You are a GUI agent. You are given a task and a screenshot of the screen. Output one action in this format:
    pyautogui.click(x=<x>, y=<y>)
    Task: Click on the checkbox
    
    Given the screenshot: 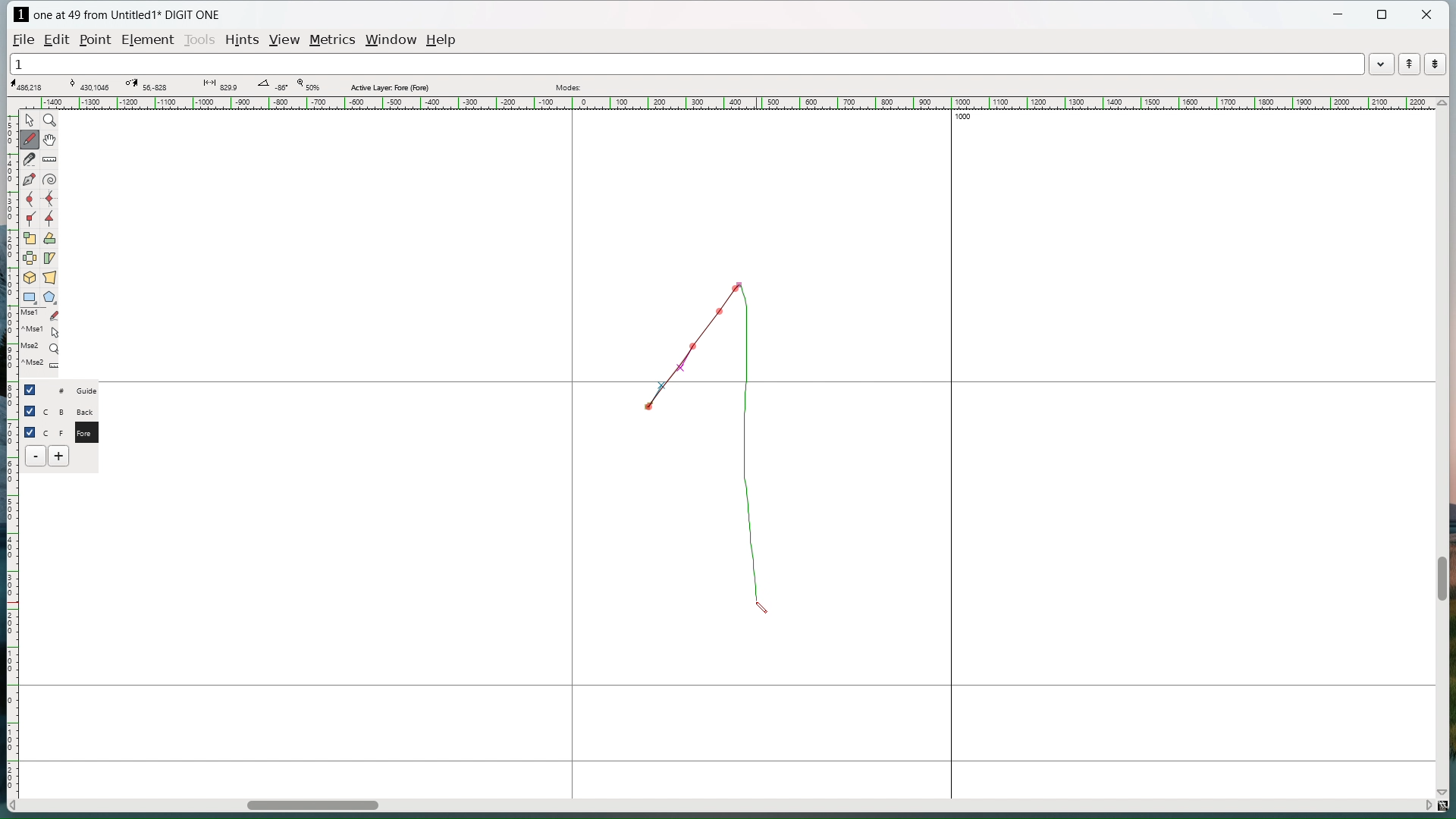 What is the action you would take?
    pyautogui.click(x=30, y=411)
    